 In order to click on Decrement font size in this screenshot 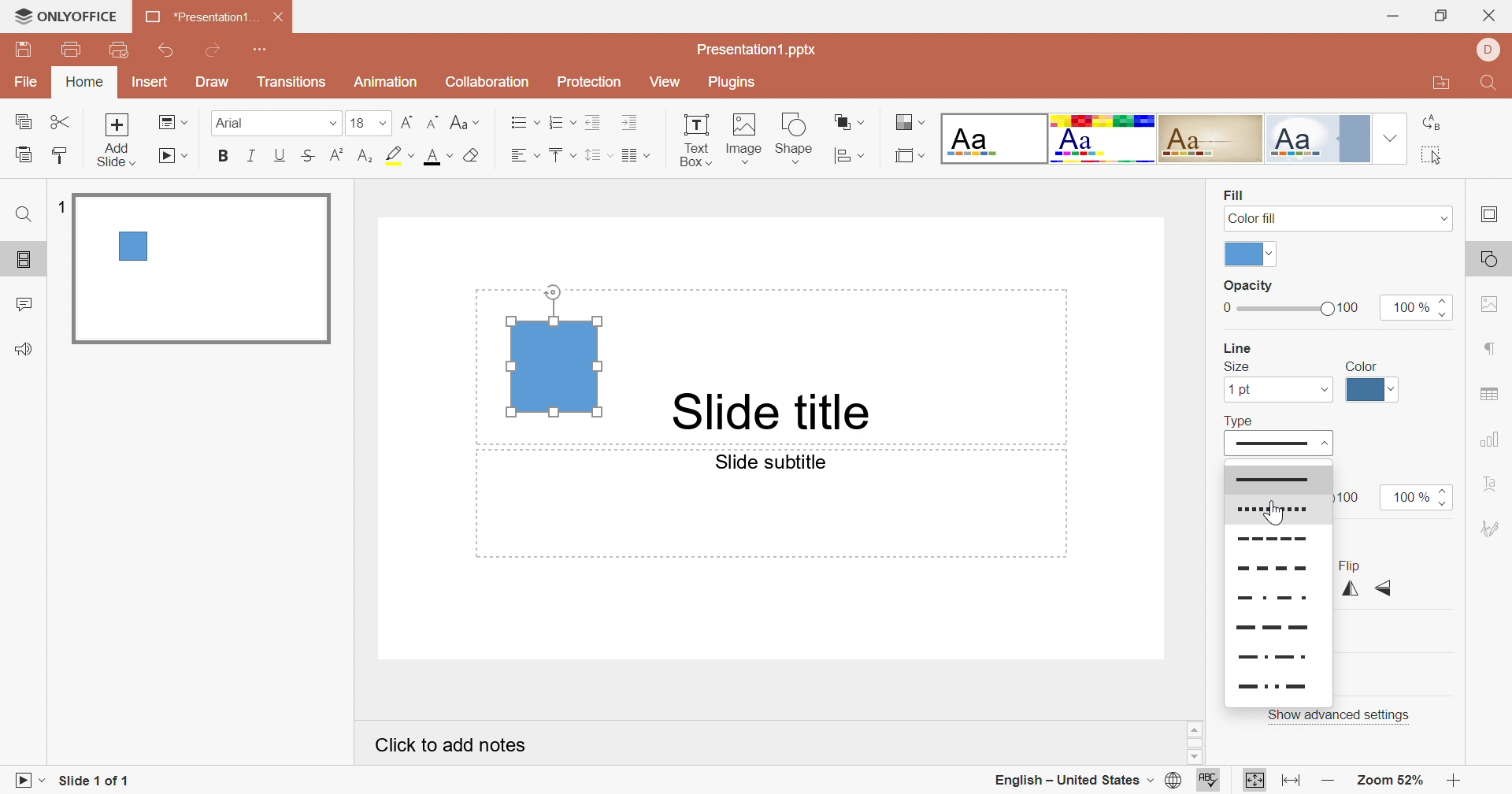, I will do `click(432, 123)`.